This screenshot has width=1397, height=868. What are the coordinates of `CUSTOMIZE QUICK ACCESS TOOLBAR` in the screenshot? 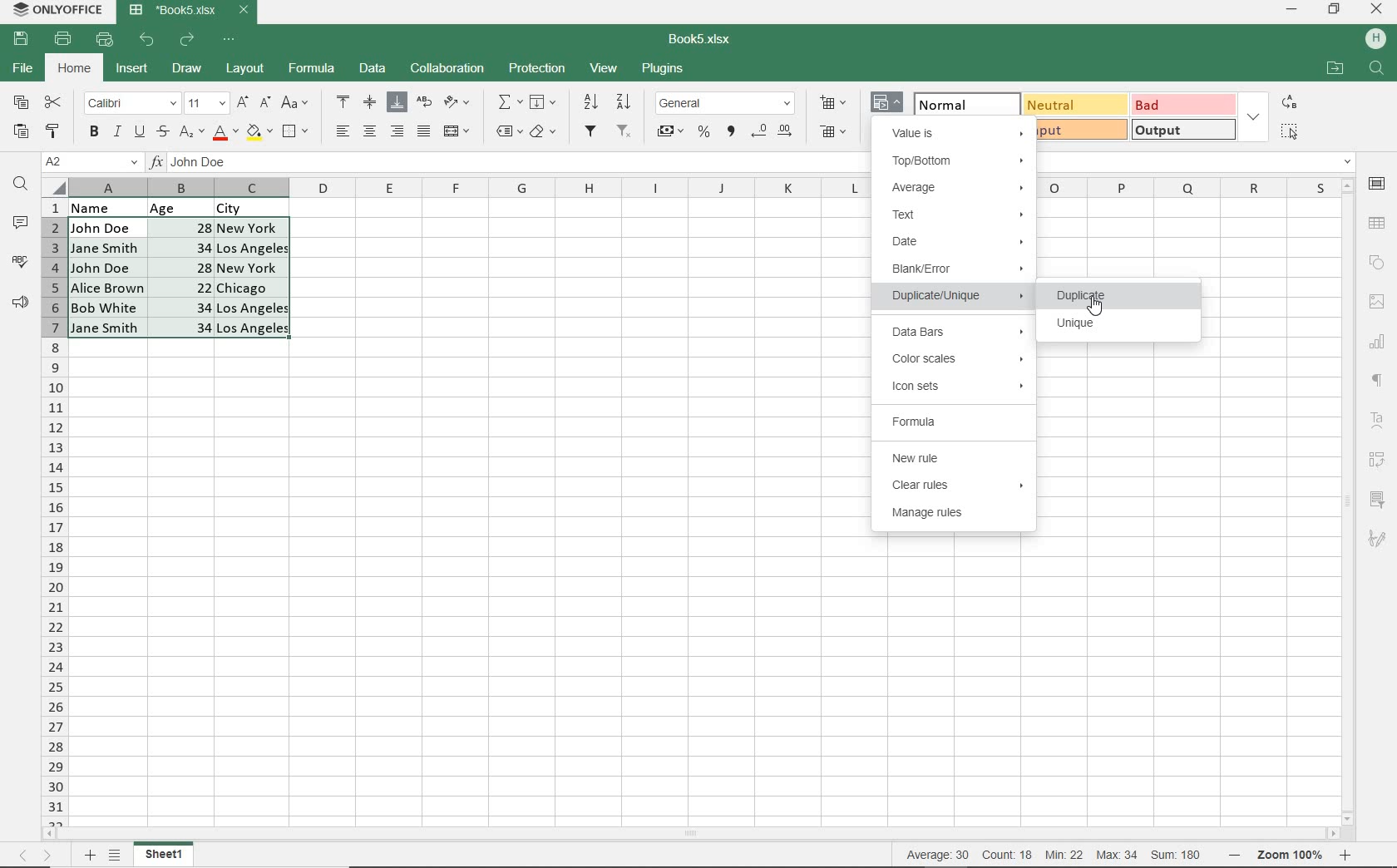 It's located at (234, 38).